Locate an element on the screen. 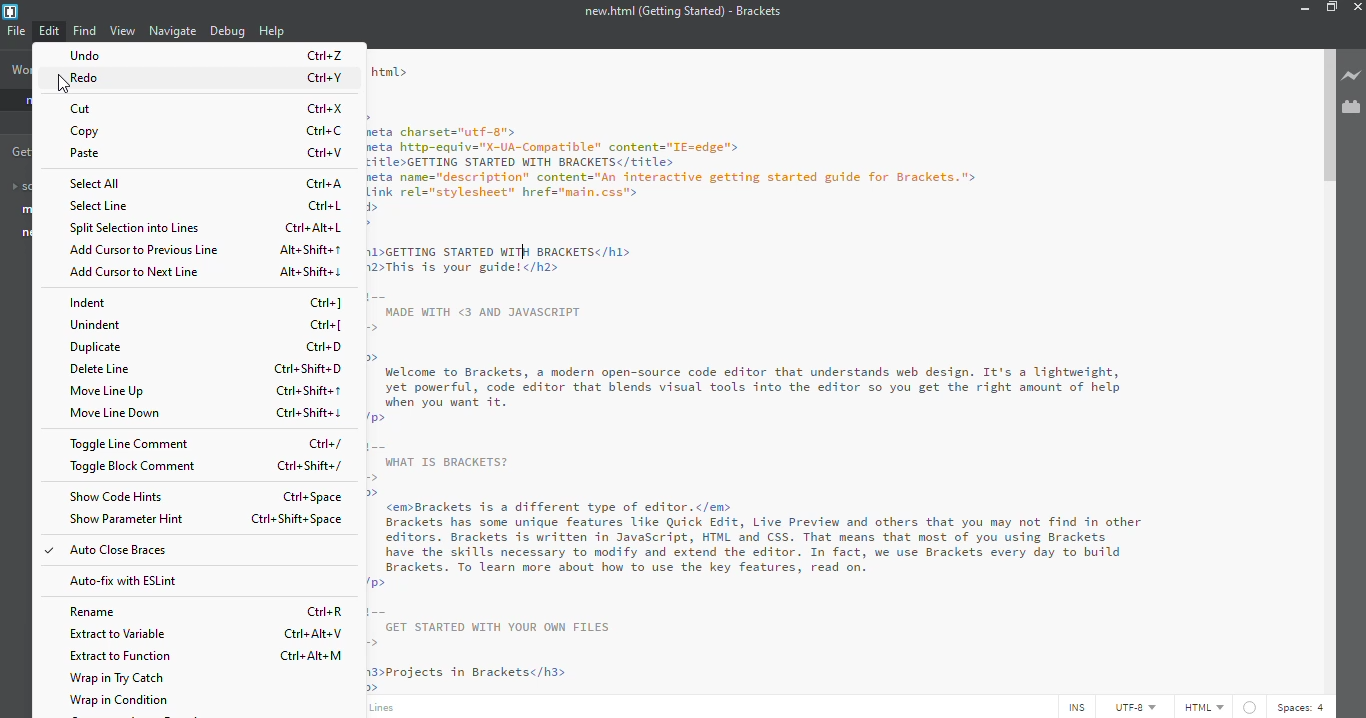 This screenshot has width=1366, height=718. spaces is located at coordinates (1303, 707).